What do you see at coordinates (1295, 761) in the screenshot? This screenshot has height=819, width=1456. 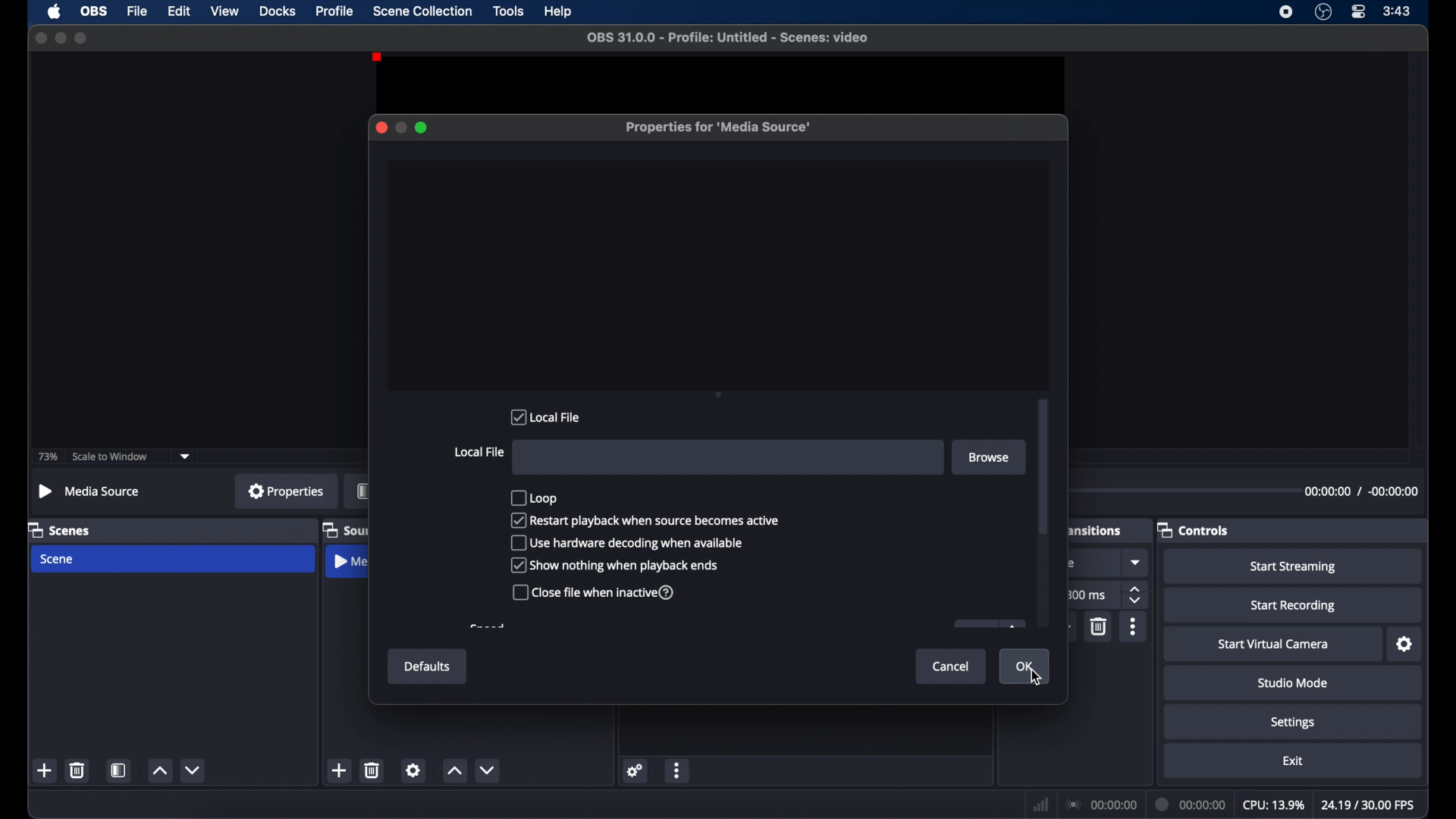 I see `exit` at bounding box center [1295, 761].